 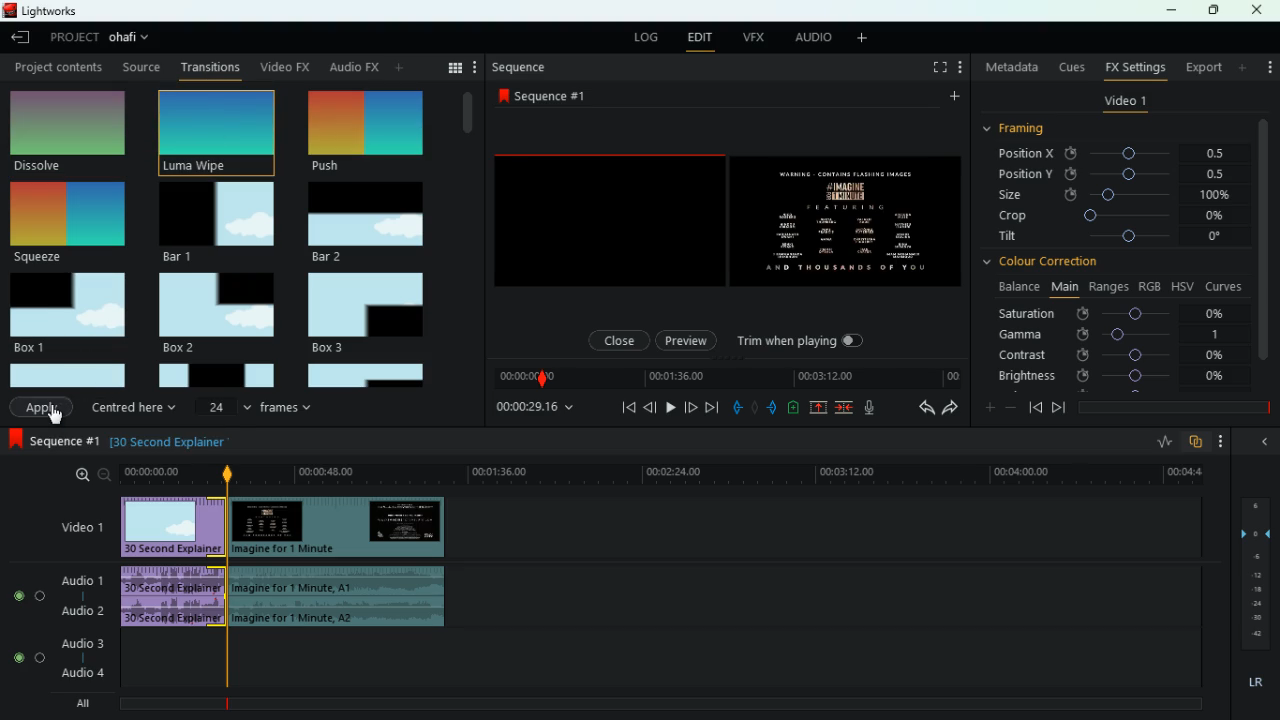 What do you see at coordinates (282, 68) in the screenshot?
I see `video fx` at bounding box center [282, 68].